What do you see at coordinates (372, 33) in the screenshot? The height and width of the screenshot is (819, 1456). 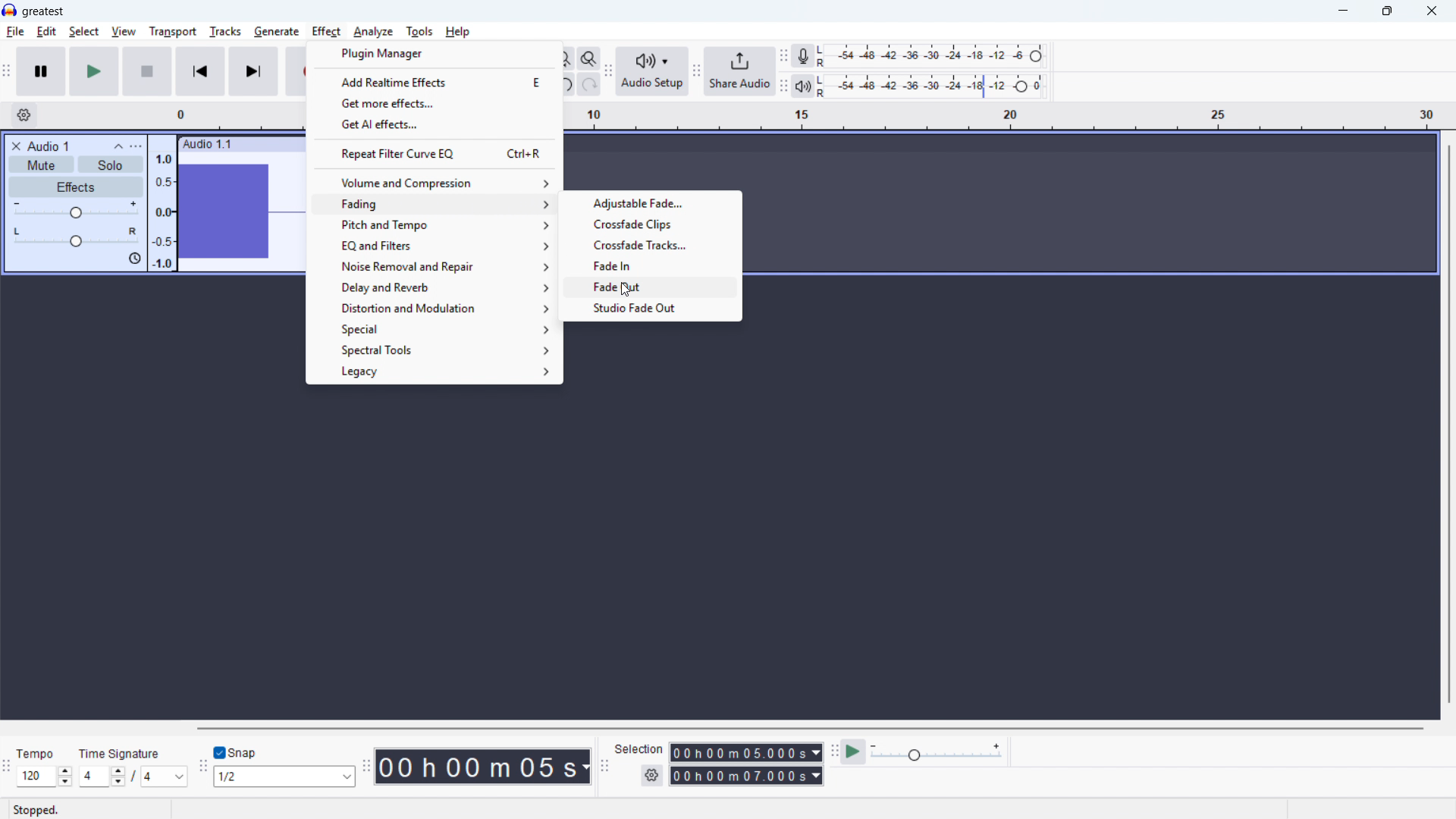 I see `analyse` at bounding box center [372, 33].